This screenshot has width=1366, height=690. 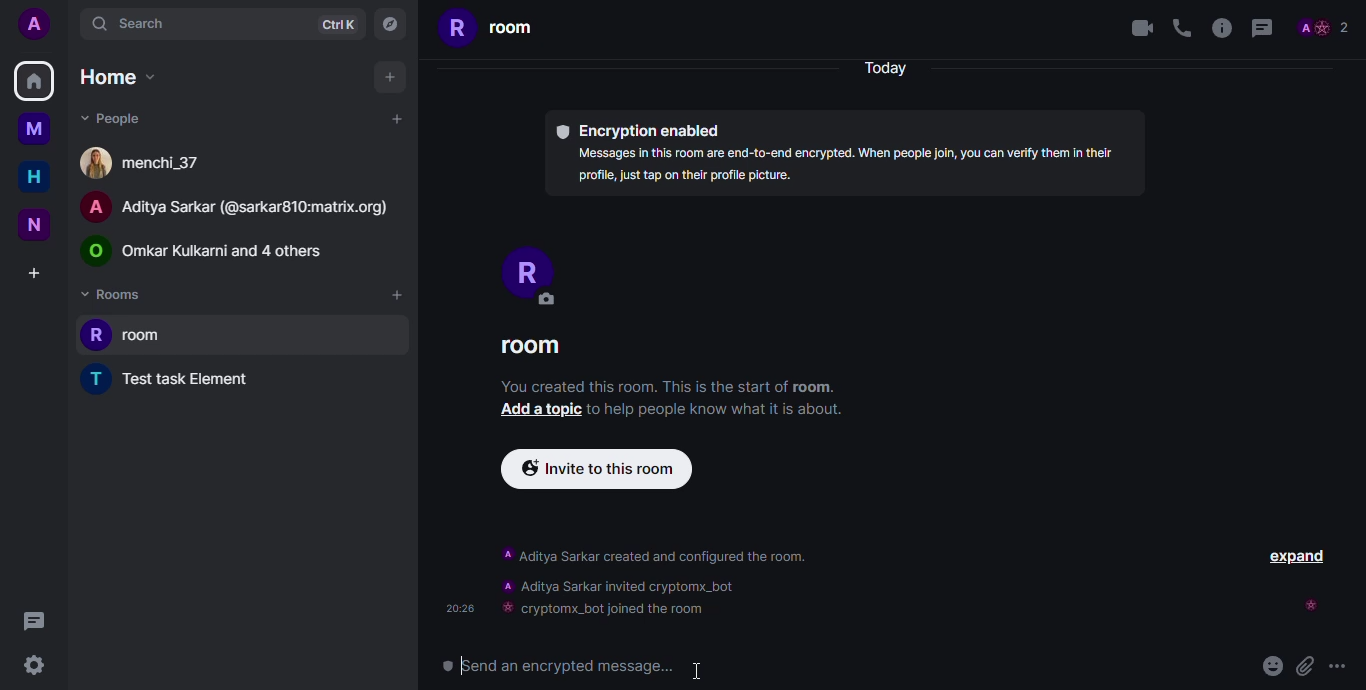 What do you see at coordinates (140, 163) in the screenshot?
I see `(5) menchi_37` at bounding box center [140, 163].